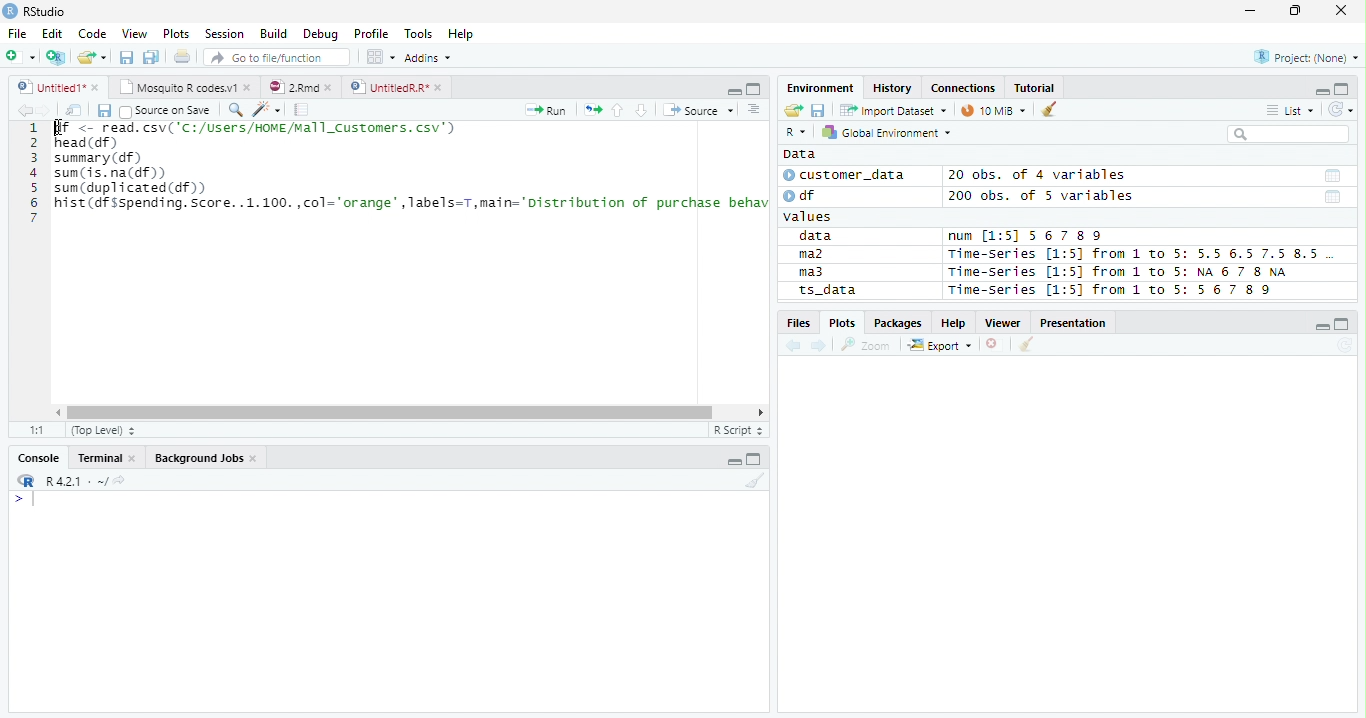  Describe the element at coordinates (995, 110) in the screenshot. I see `10 MiB` at that location.